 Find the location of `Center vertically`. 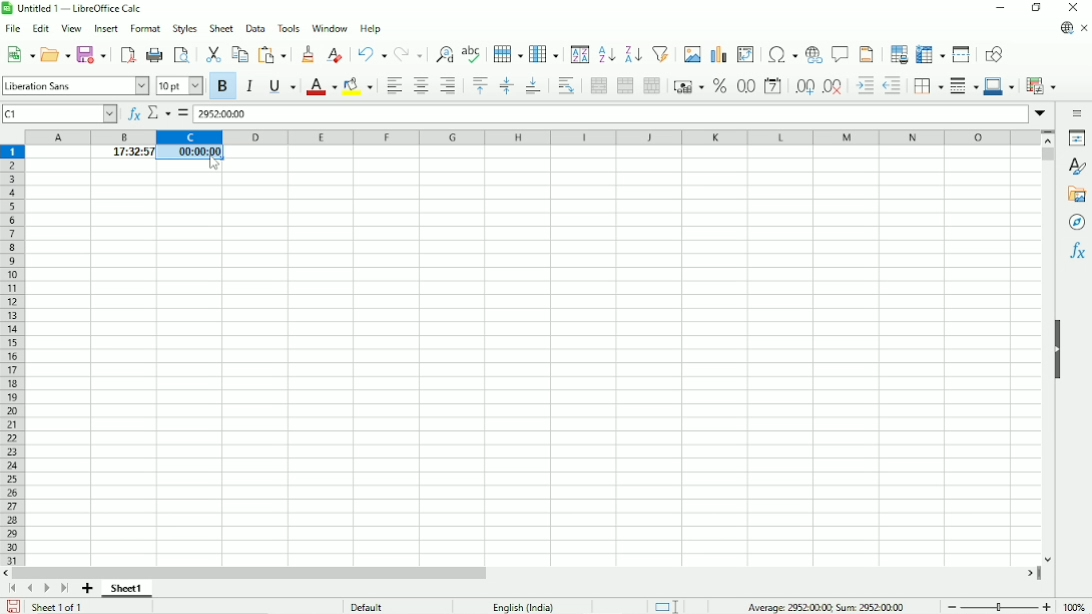

Center vertically is located at coordinates (505, 86).